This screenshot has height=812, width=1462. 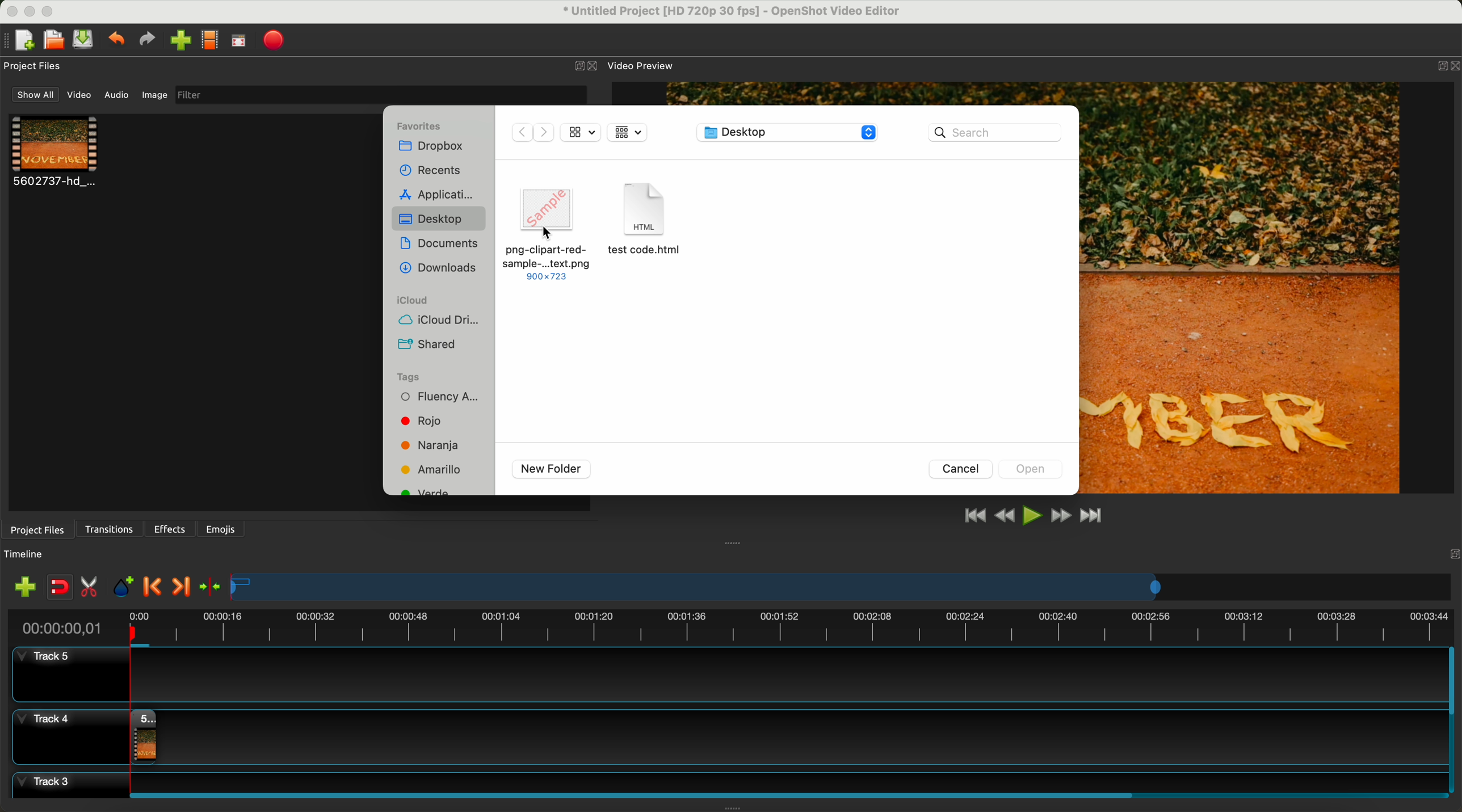 What do you see at coordinates (21, 40) in the screenshot?
I see `new file` at bounding box center [21, 40].